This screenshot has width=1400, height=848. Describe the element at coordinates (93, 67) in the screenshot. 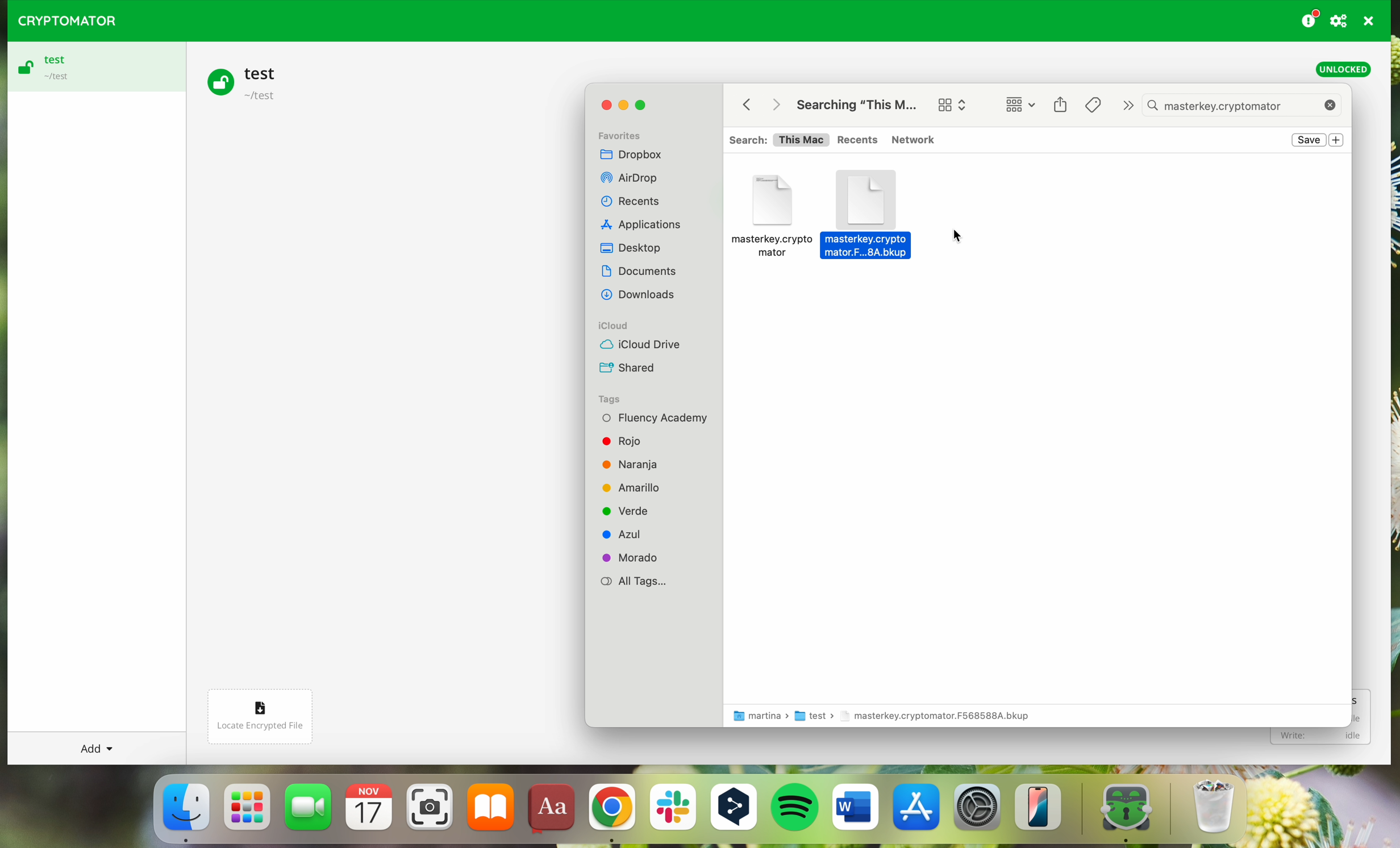

I see `test vault` at that location.